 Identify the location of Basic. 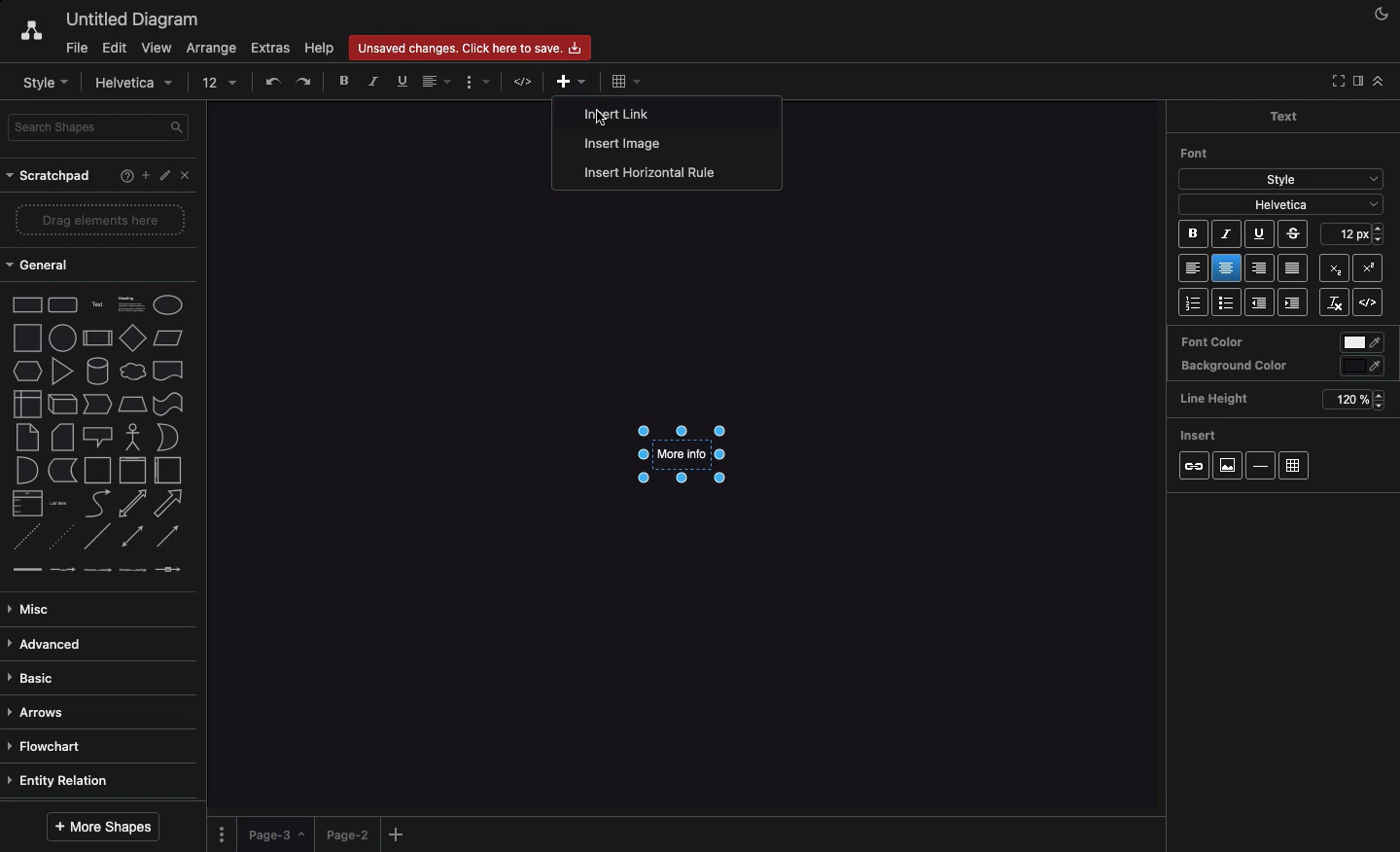
(34, 679).